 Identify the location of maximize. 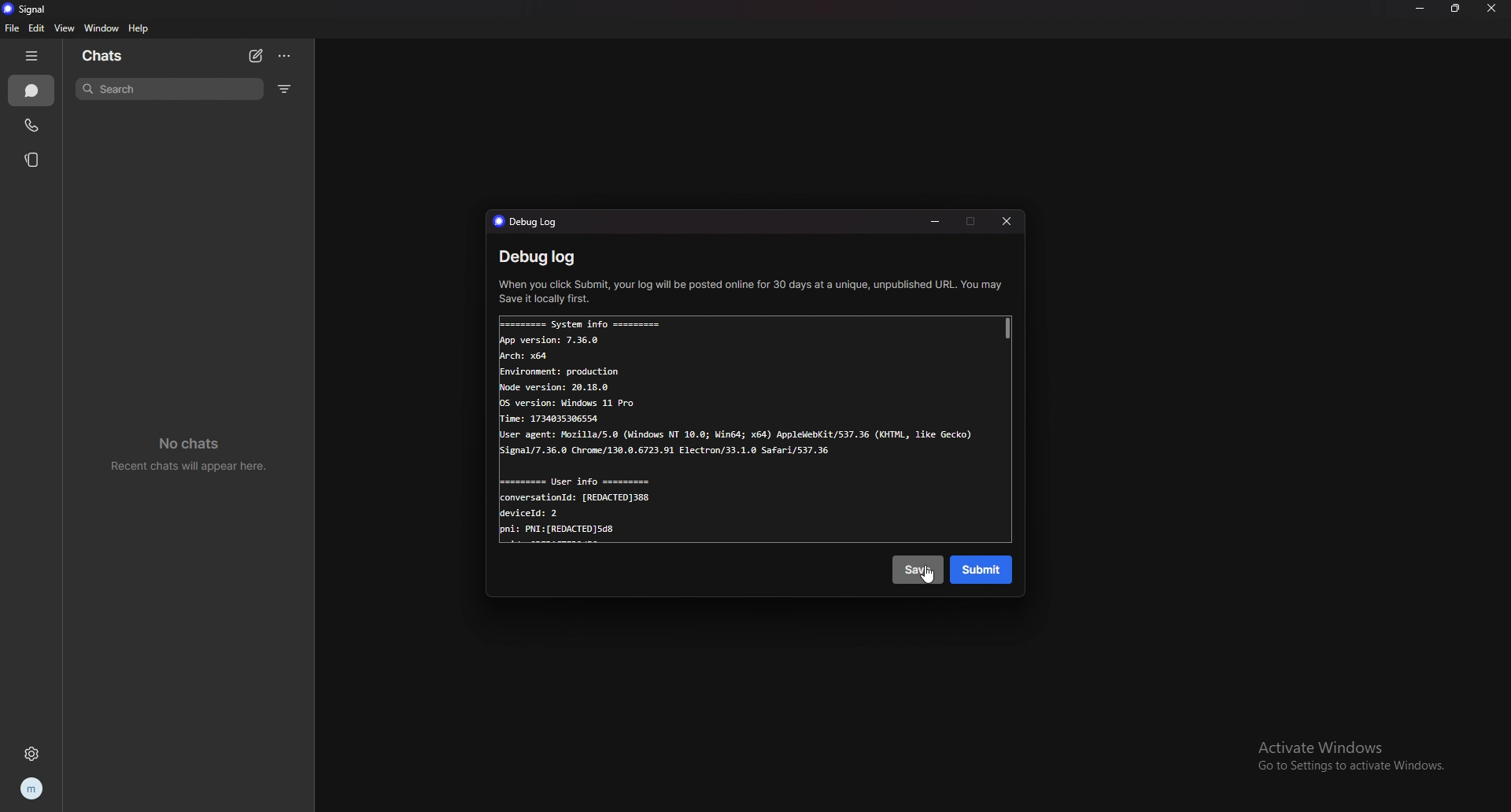
(973, 223).